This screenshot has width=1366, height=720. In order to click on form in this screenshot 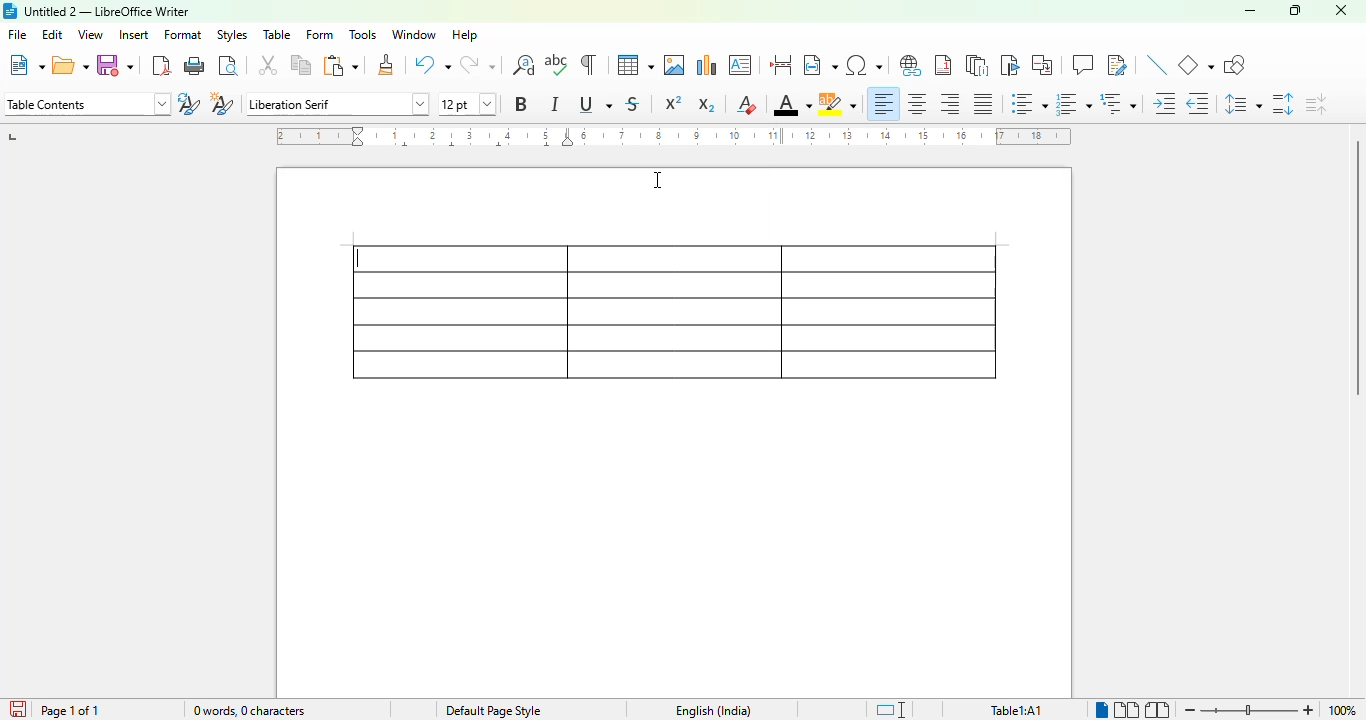, I will do `click(319, 35)`.